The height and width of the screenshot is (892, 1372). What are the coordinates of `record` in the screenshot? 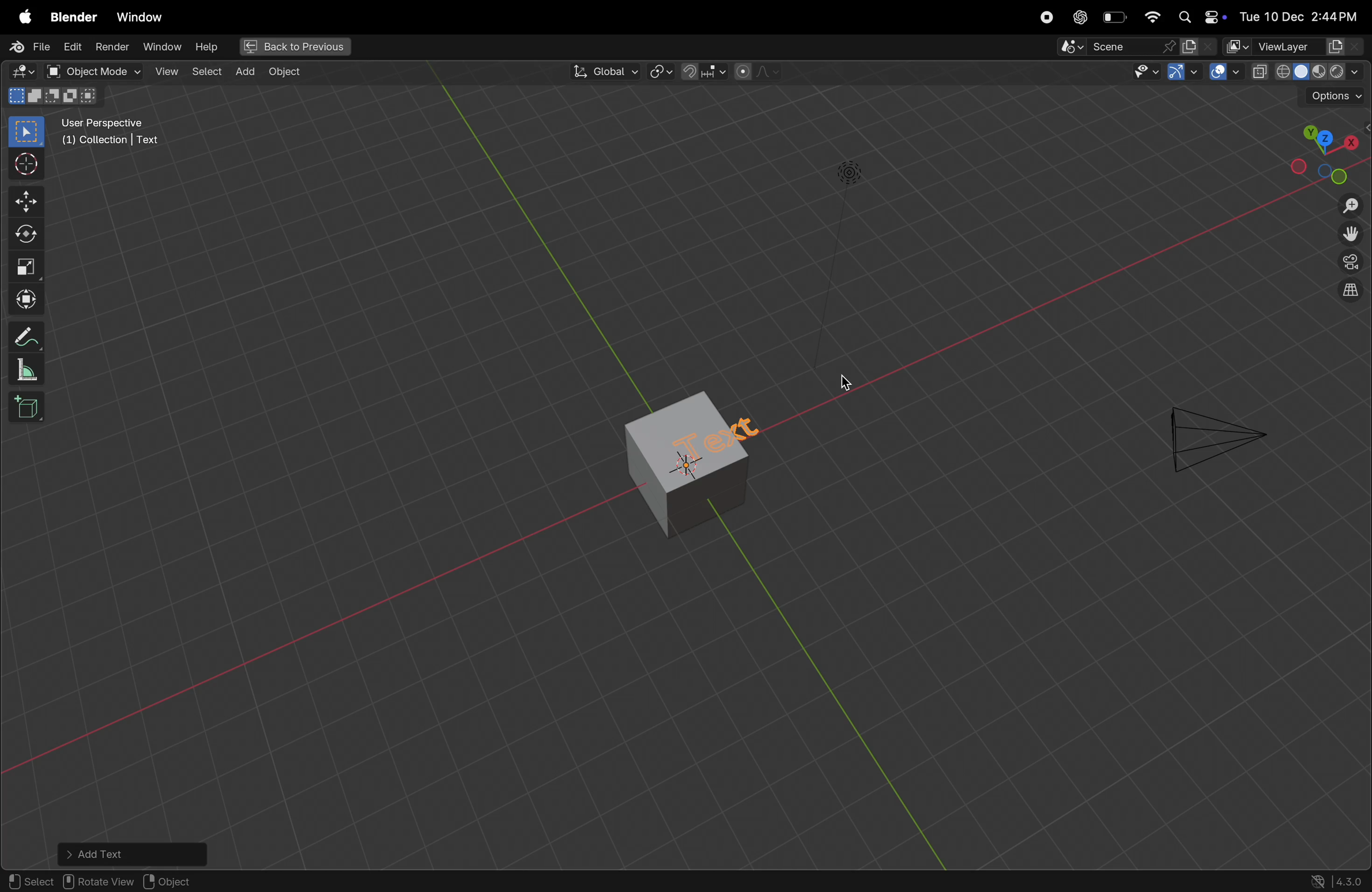 It's located at (1045, 17).